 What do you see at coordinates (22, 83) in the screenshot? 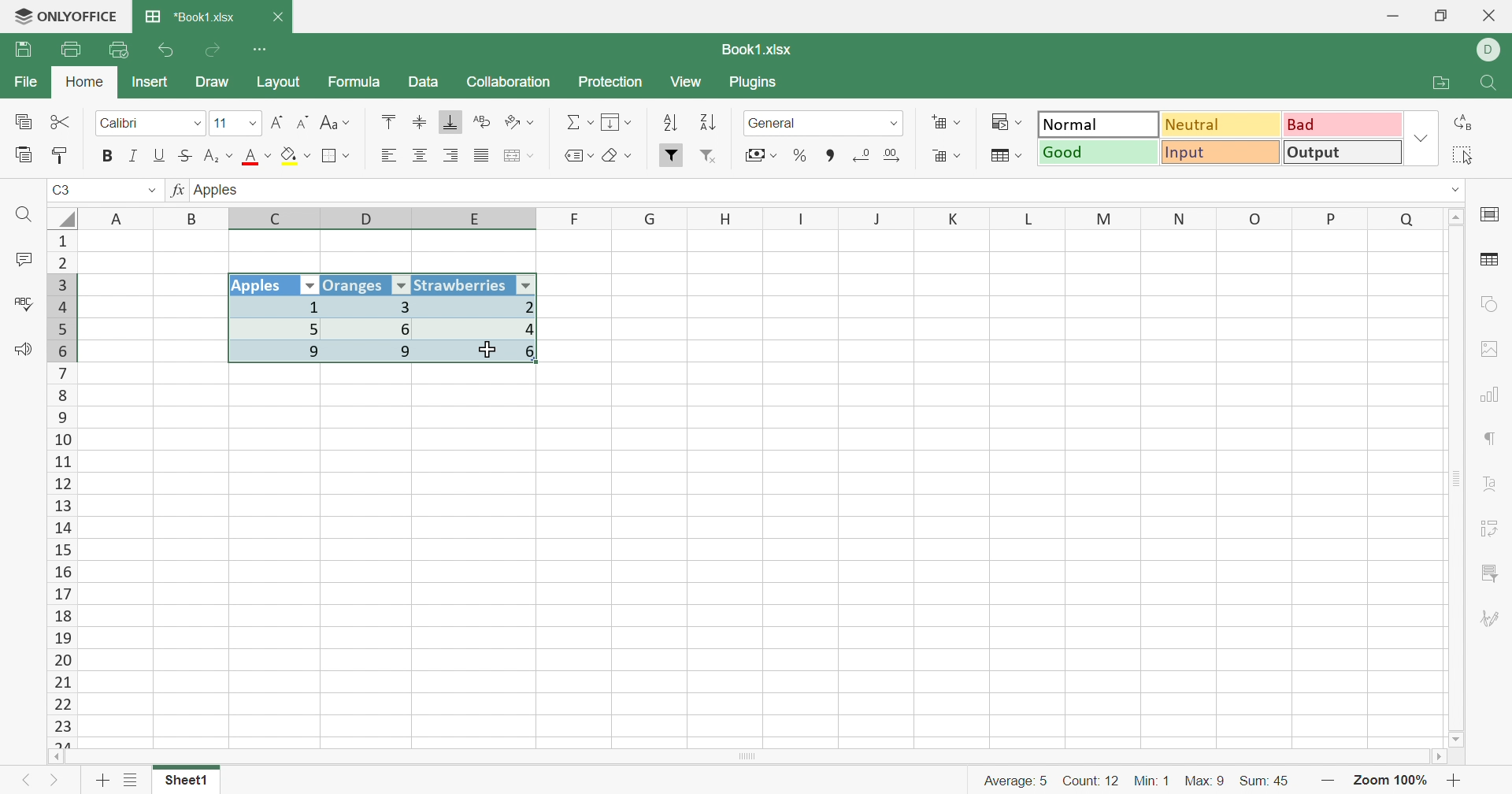
I see `File` at bounding box center [22, 83].